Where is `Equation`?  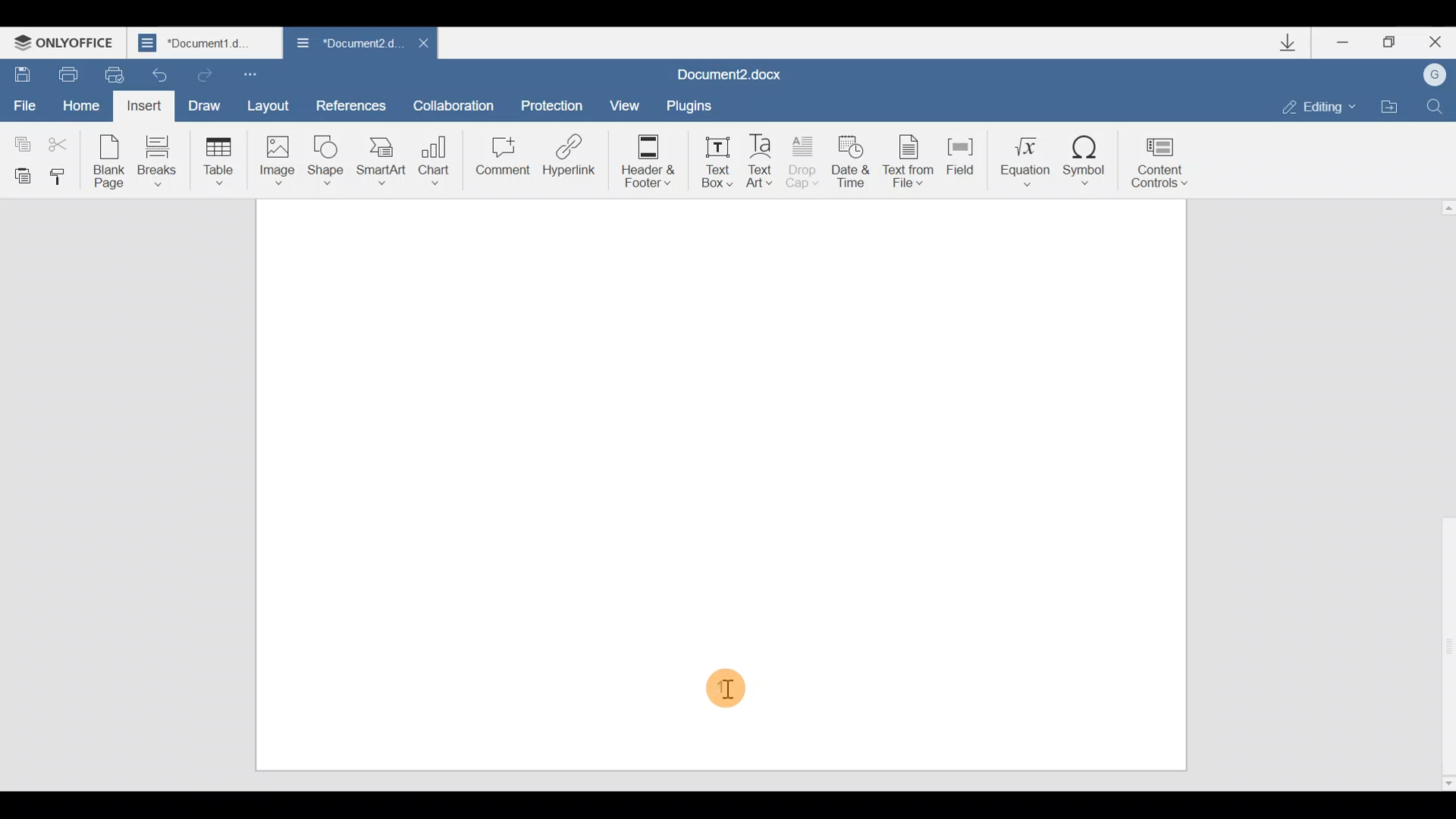 Equation is located at coordinates (1020, 158).